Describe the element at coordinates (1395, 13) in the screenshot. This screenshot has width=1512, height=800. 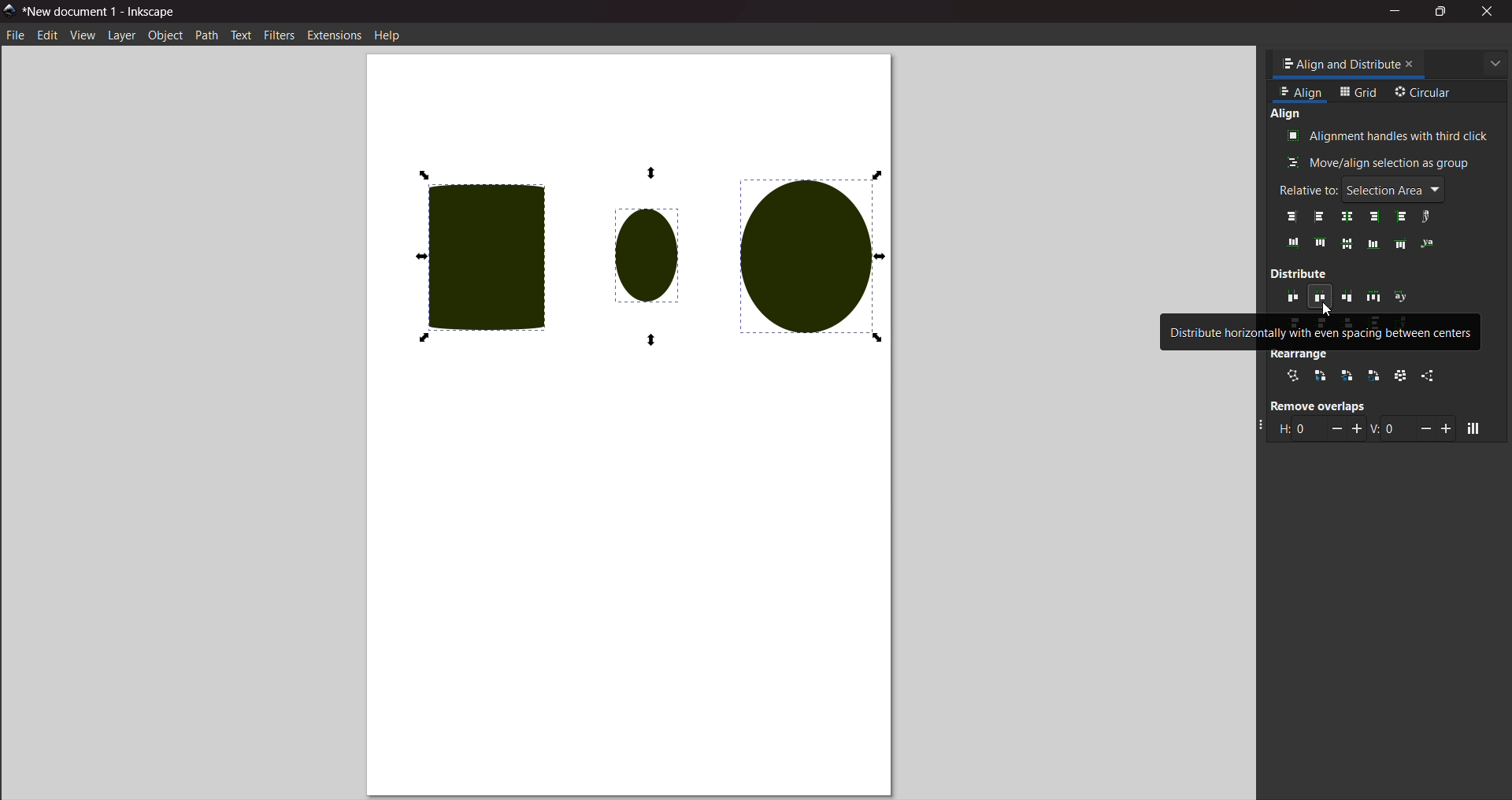
I see `minimize` at that location.